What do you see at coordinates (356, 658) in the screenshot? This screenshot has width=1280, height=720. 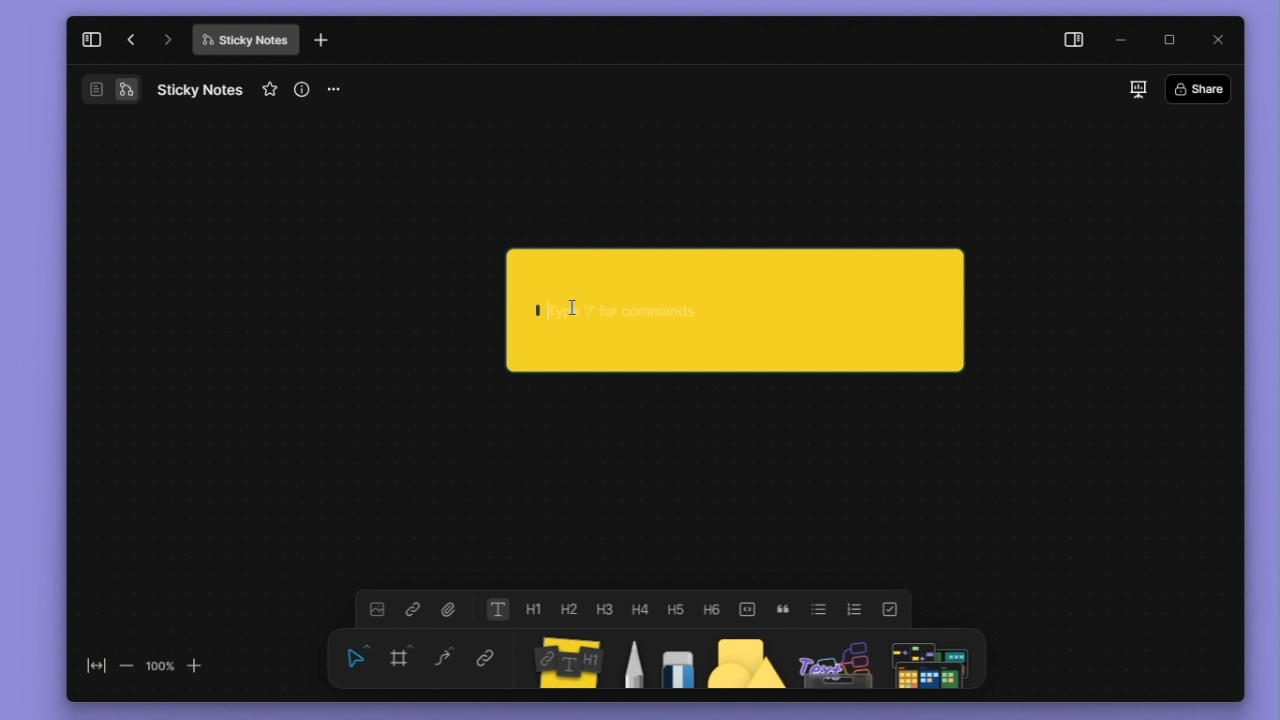 I see `select` at bounding box center [356, 658].